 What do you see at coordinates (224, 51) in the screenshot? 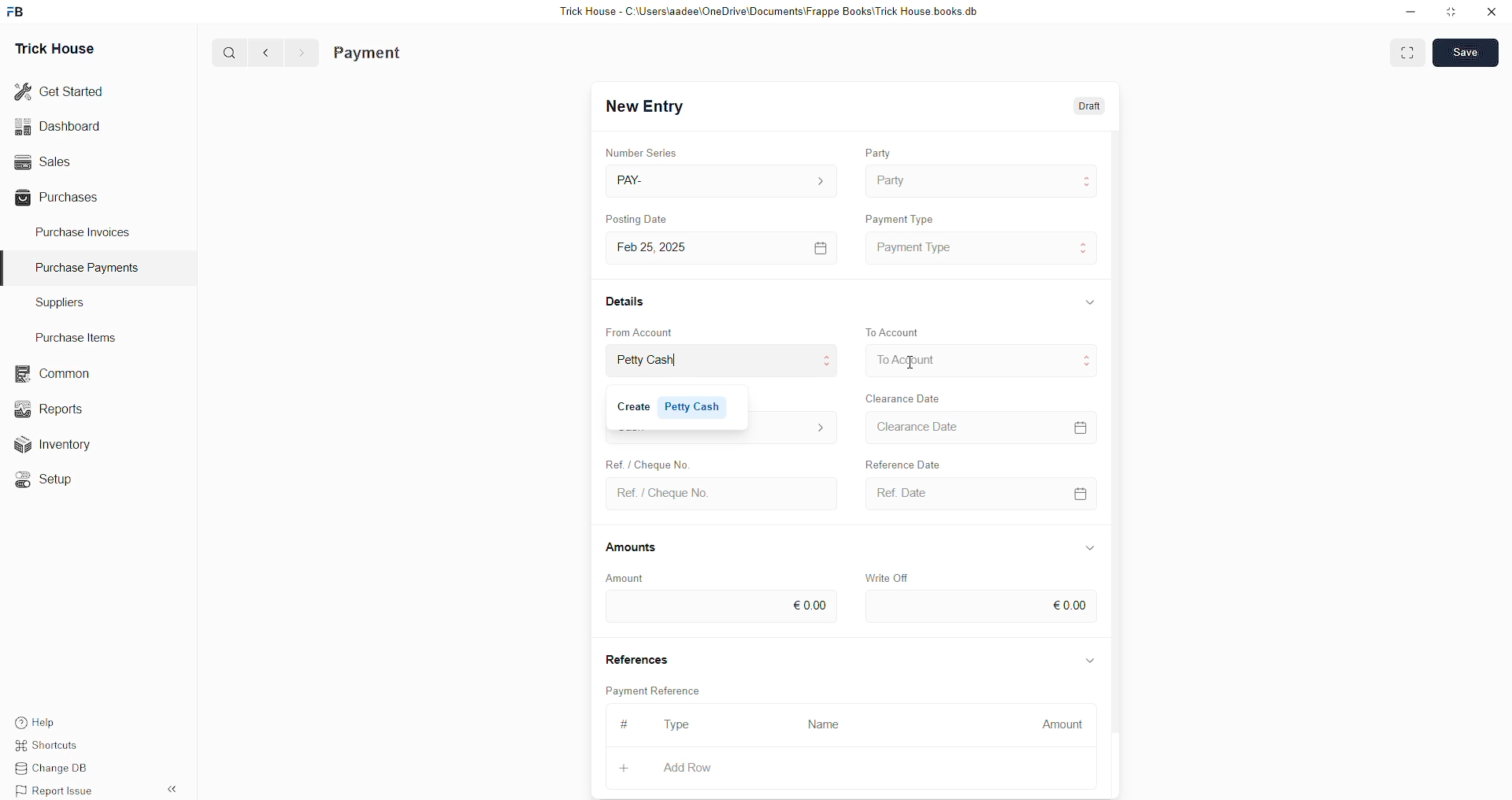
I see `Q` at bounding box center [224, 51].